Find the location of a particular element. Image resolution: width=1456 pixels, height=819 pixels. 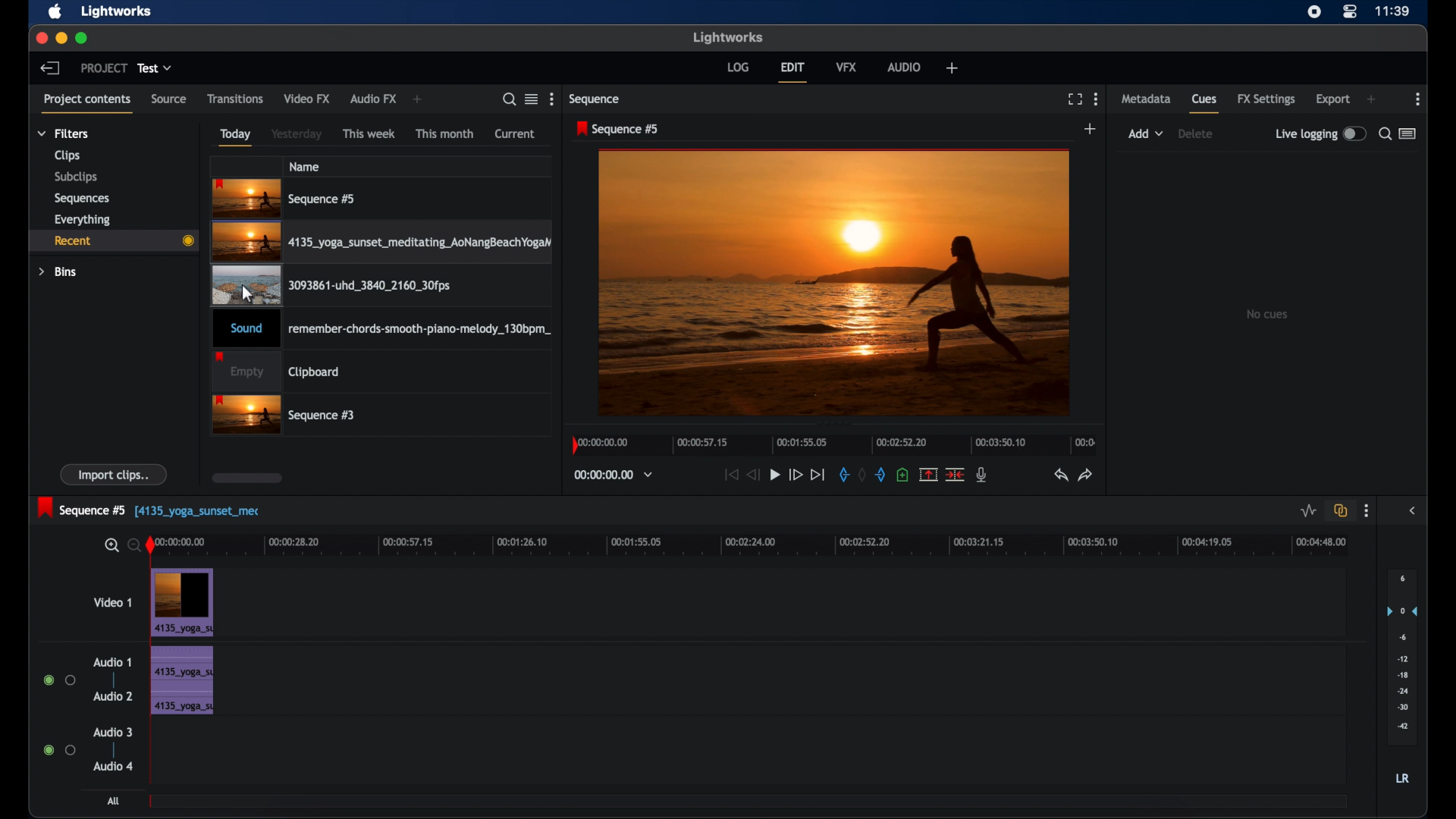

sequence 3 is located at coordinates (285, 416).